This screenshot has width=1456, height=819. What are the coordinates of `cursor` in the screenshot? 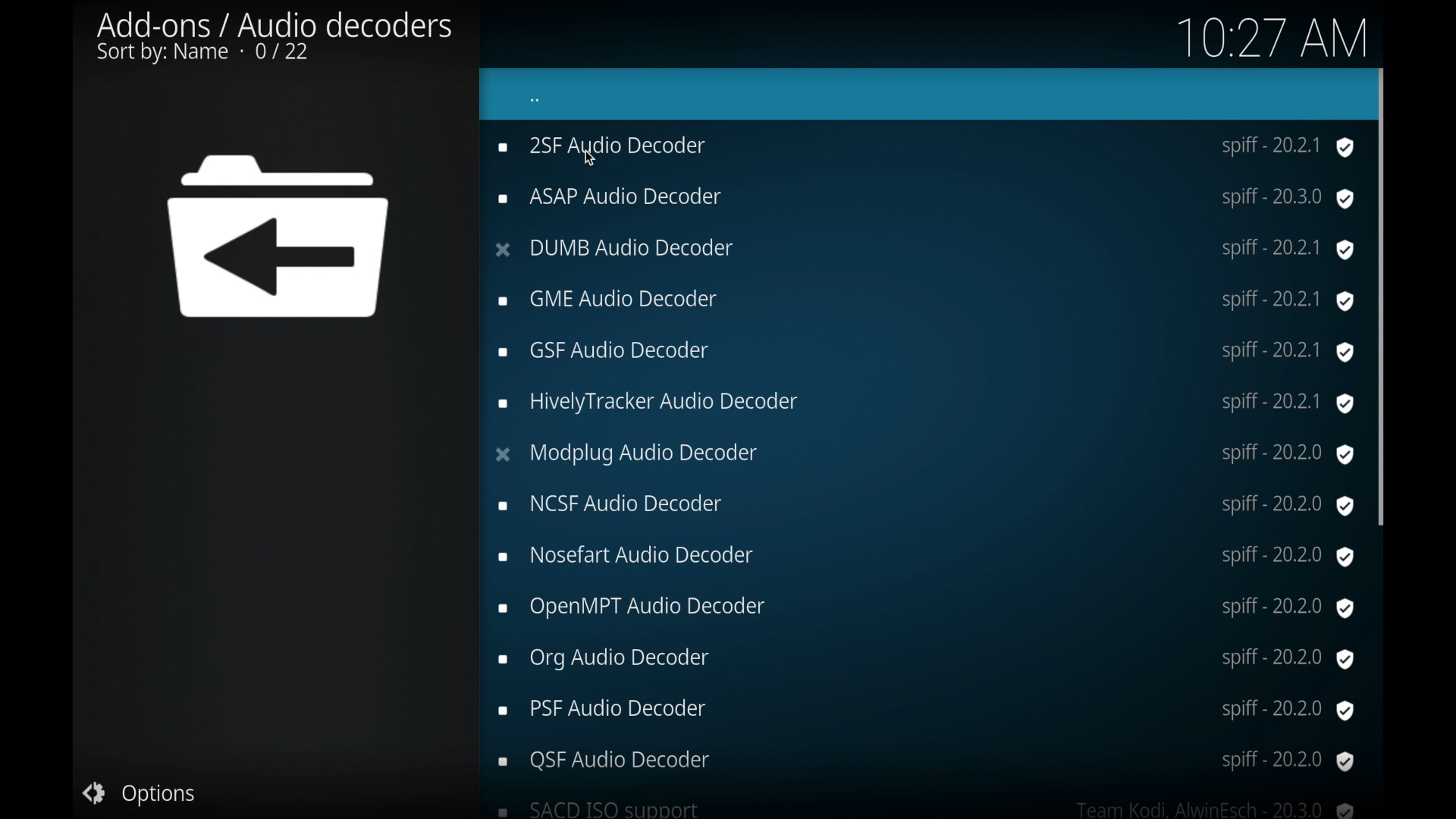 It's located at (591, 160).